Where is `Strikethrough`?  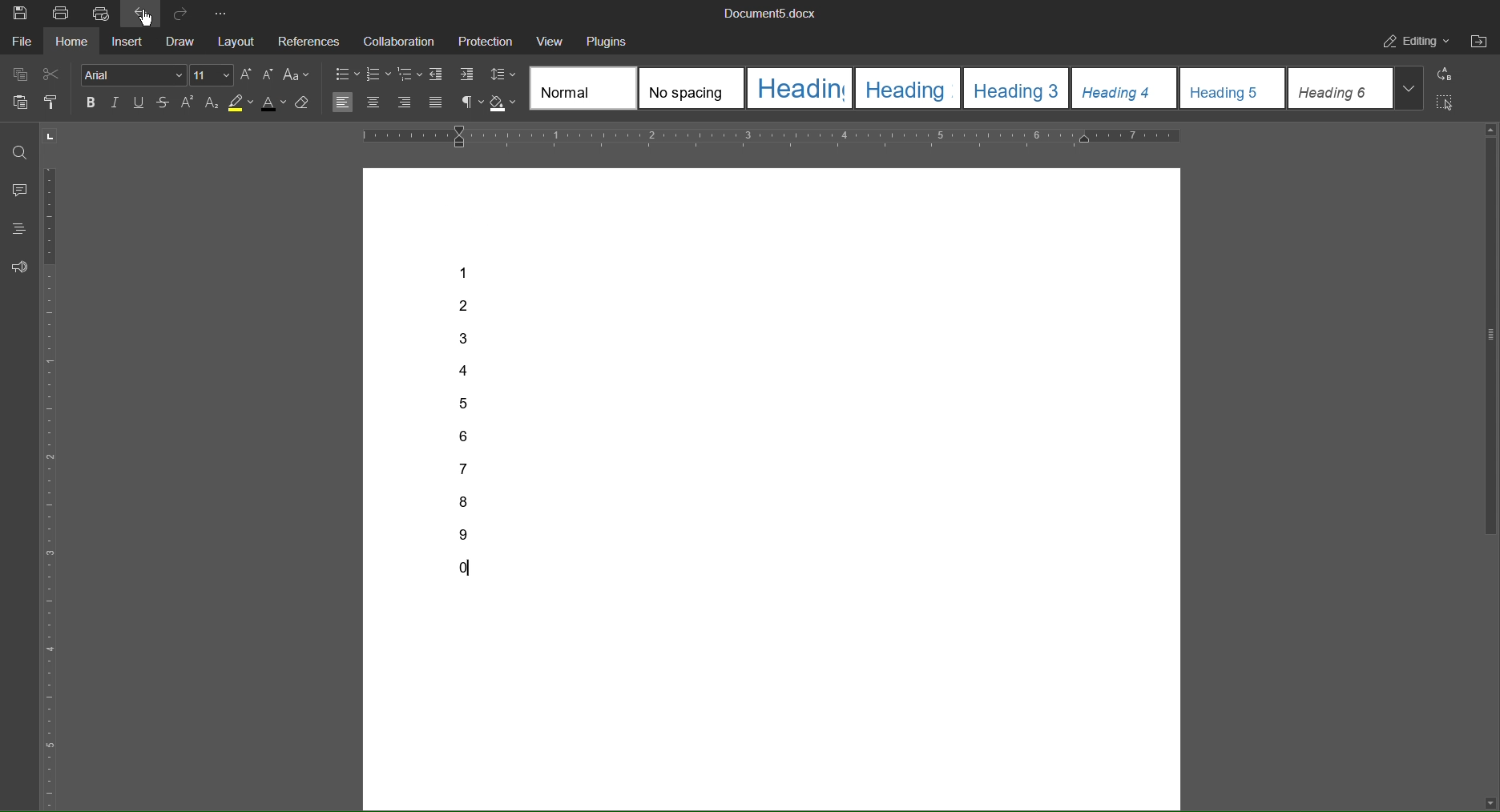 Strikethrough is located at coordinates (163, 103).